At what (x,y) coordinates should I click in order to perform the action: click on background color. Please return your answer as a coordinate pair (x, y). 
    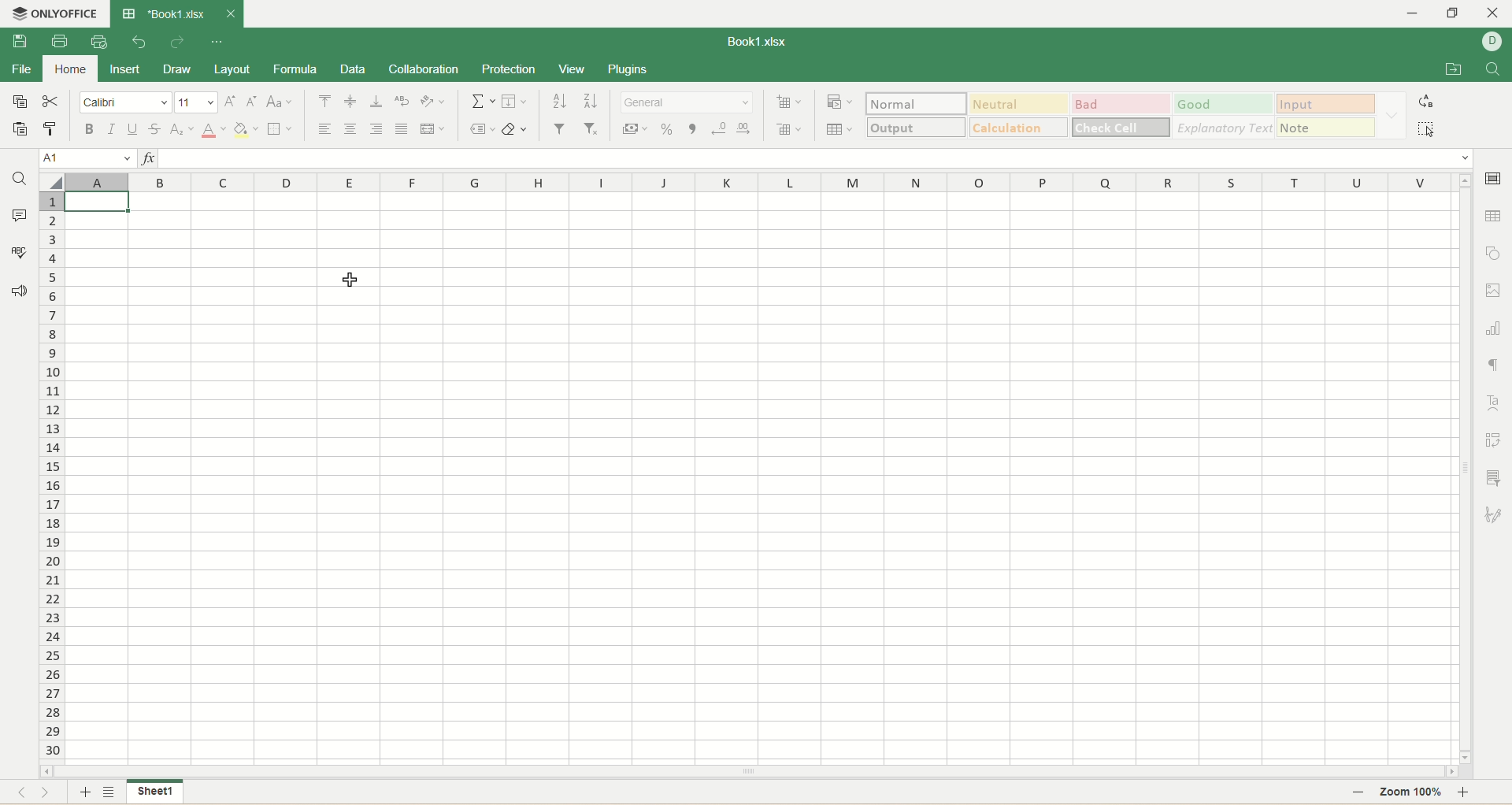
    Looking at the image, I should click on (246, 130).